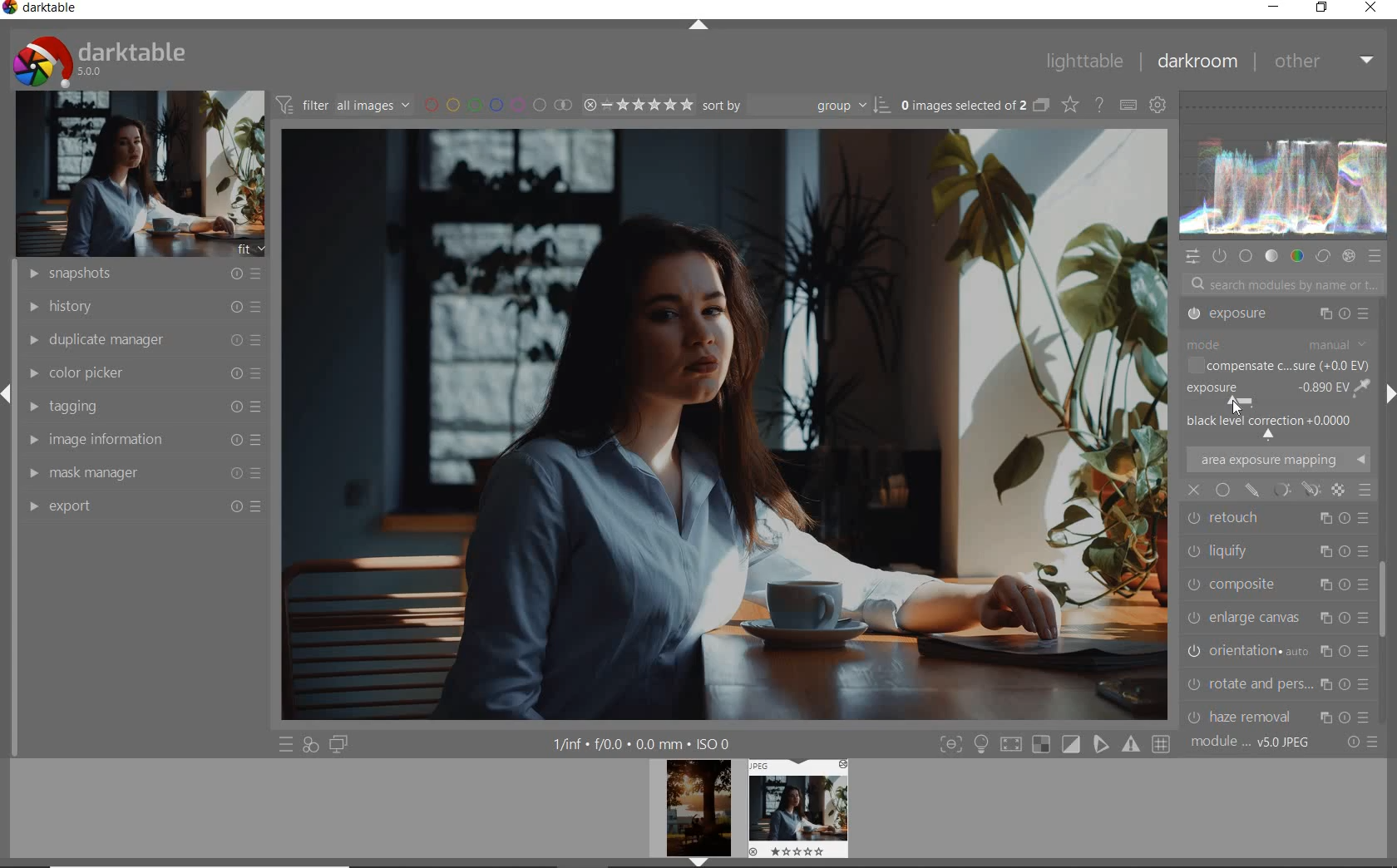 Image resolution: width=1397 pixels, height=868 pixels. What do you see at coordinates (1271, 256) in the screenshot?
I see `TONE` at bounding box center [1271, 256].